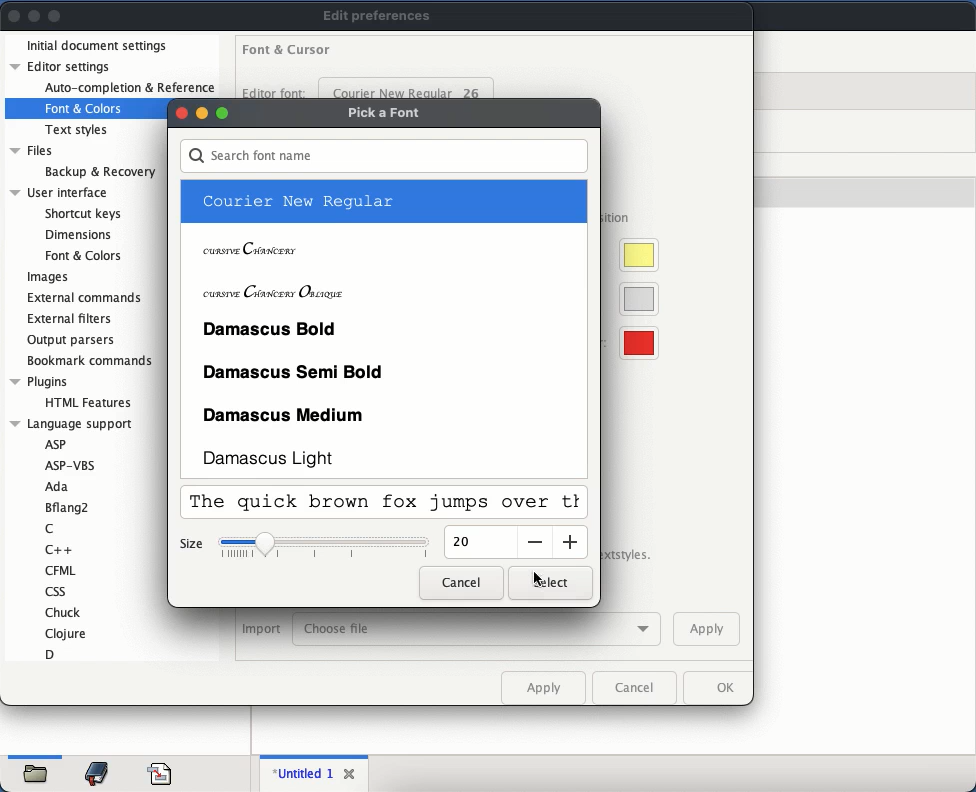  I want to click on sized down, so click(326, 550).